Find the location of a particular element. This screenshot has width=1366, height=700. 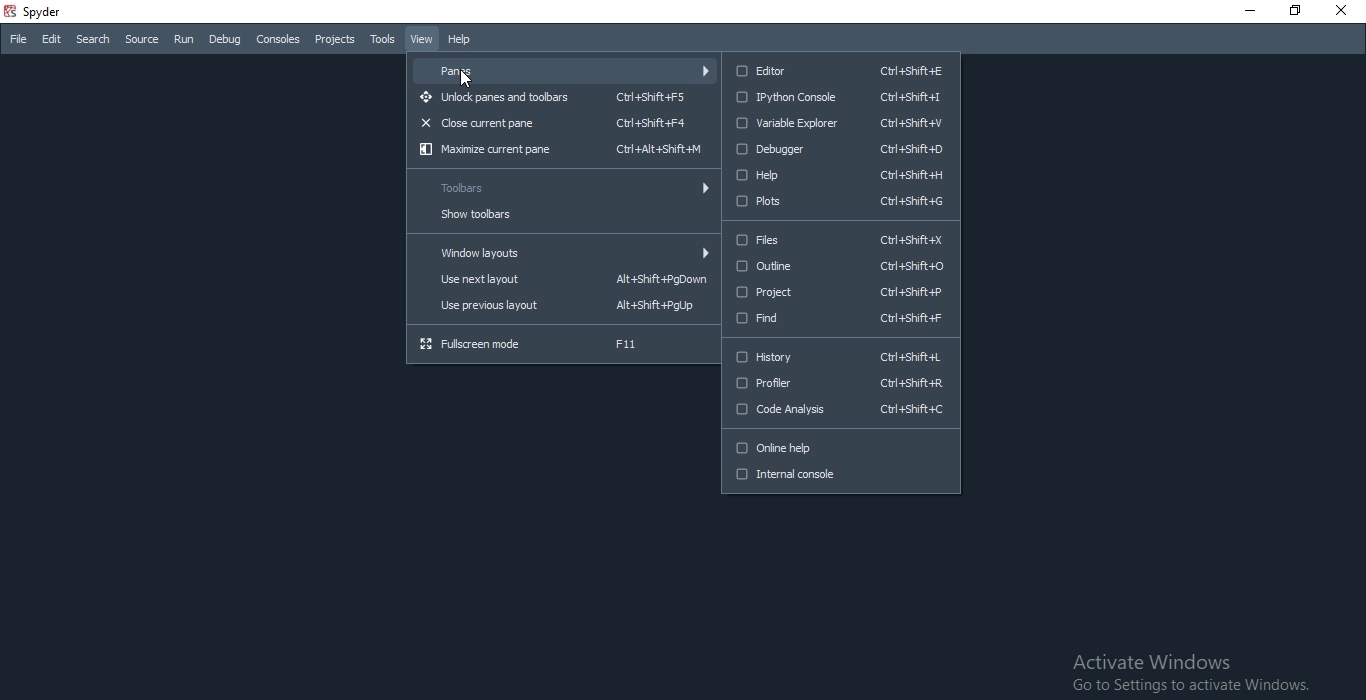

Online help is located at coordinates (841, 446).